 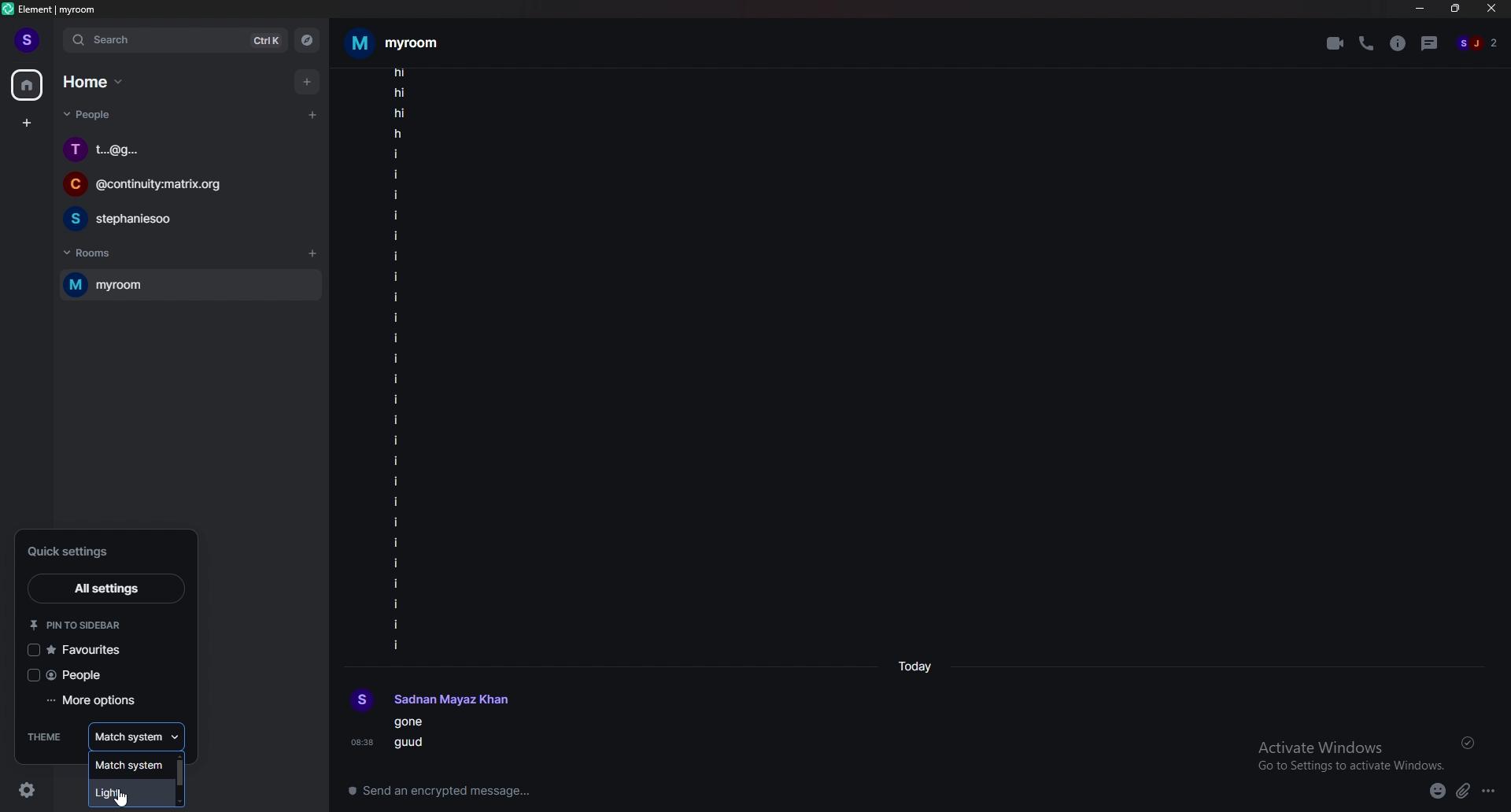 I want to click on options, so click(x=1491, y=791).